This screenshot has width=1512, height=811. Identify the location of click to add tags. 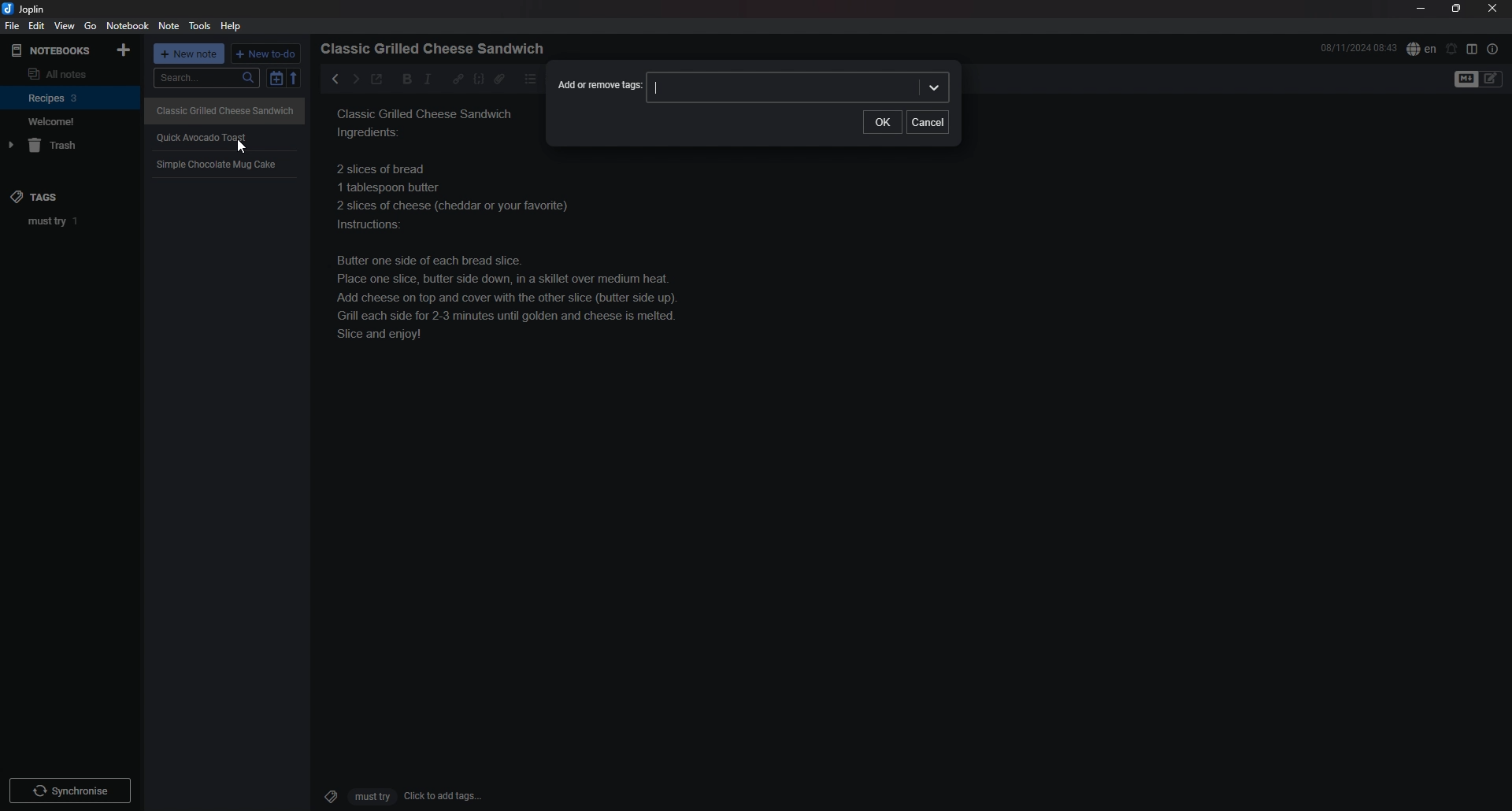
(396, 795).